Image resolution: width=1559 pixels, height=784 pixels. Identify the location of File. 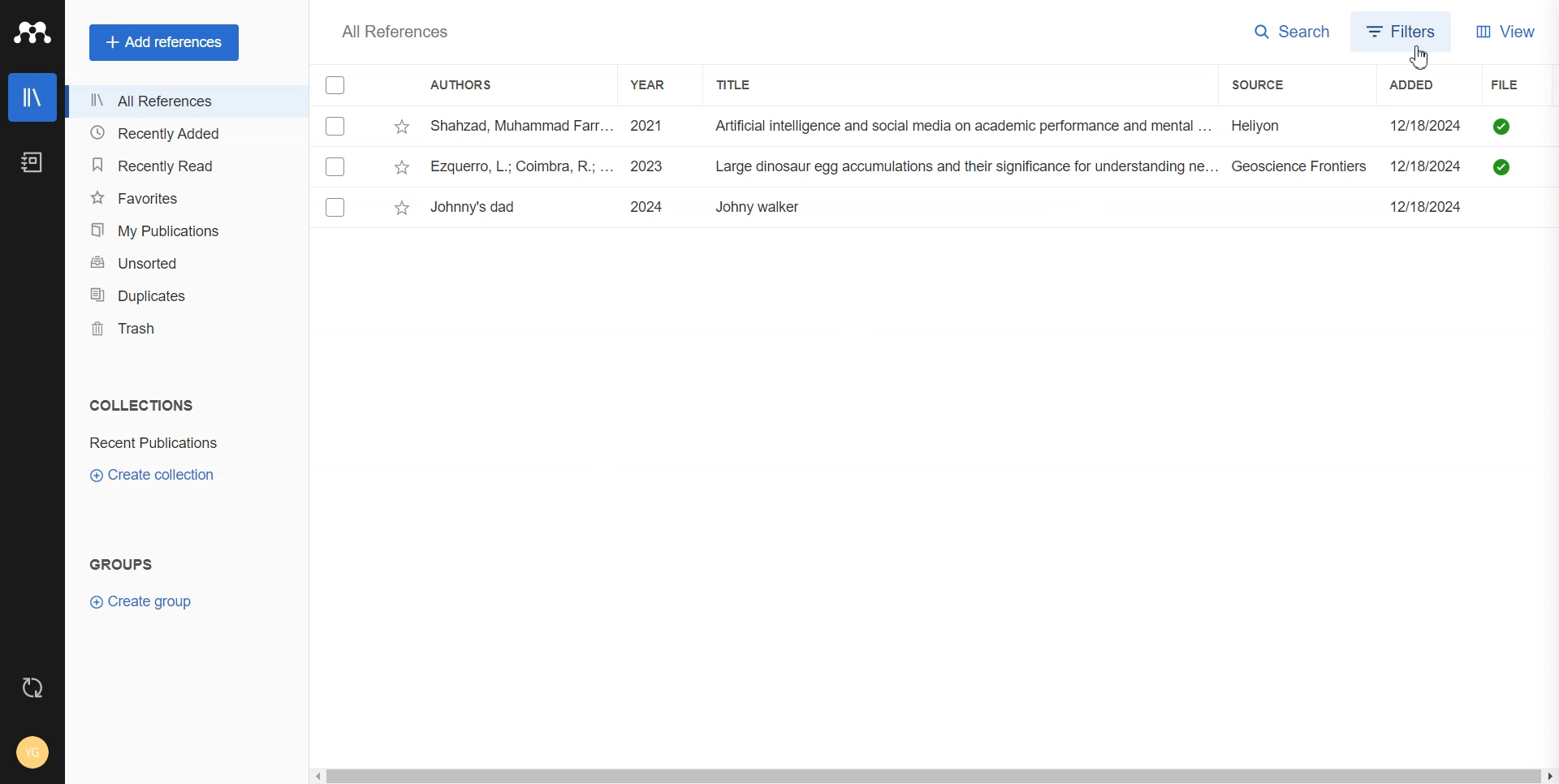
(1524, 85).